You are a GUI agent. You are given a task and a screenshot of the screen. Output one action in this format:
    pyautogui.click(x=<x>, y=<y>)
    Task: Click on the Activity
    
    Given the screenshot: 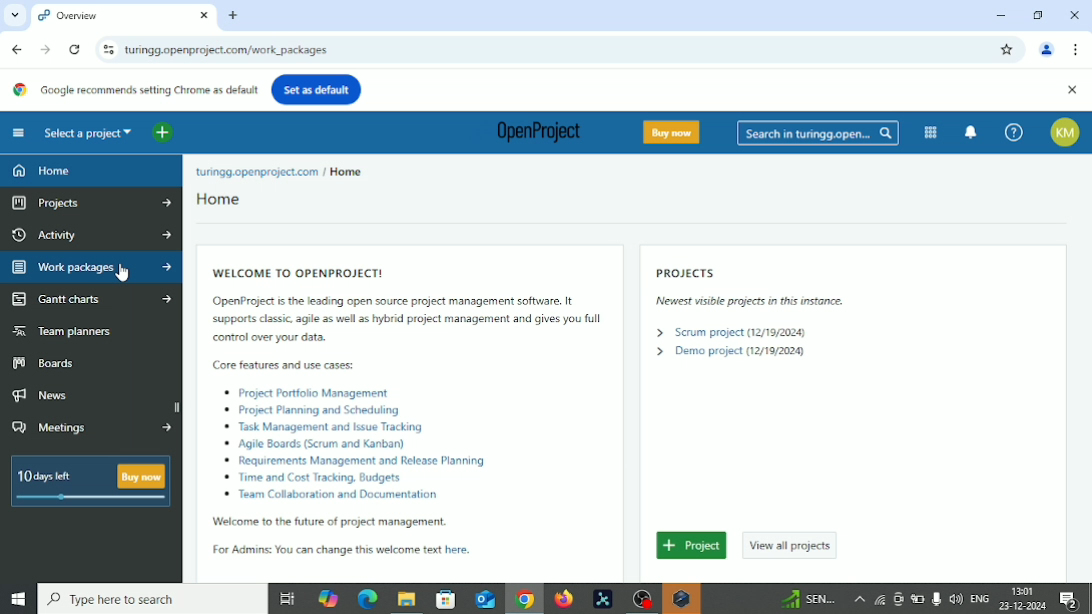 What is the action you would take?
    pyautogui.click(x=91, y=235)
    